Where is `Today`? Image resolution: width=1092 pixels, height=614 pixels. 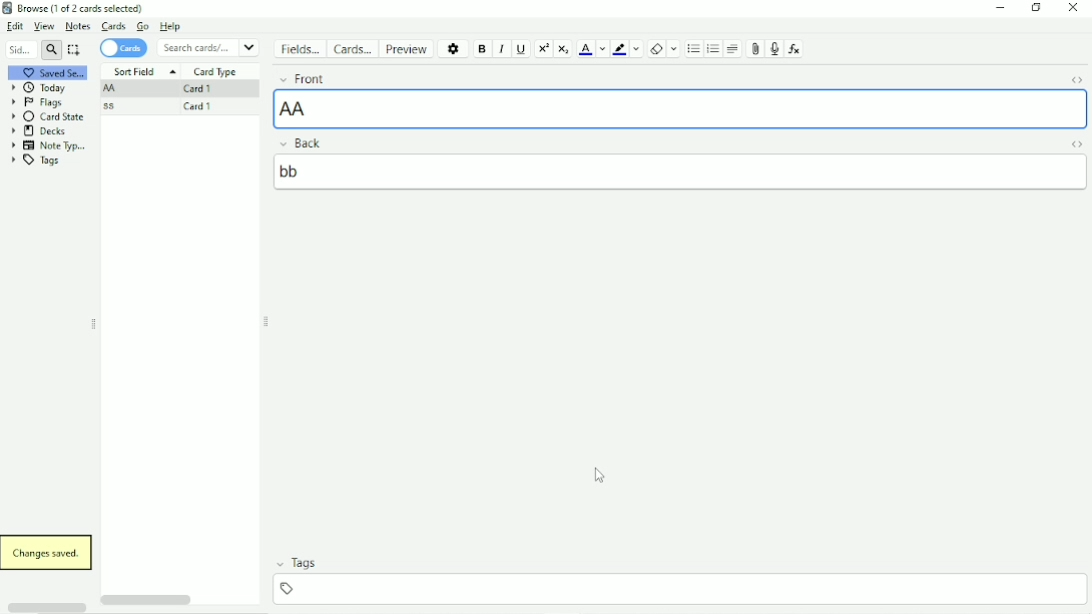 Today is located at coordinates (39, 88).